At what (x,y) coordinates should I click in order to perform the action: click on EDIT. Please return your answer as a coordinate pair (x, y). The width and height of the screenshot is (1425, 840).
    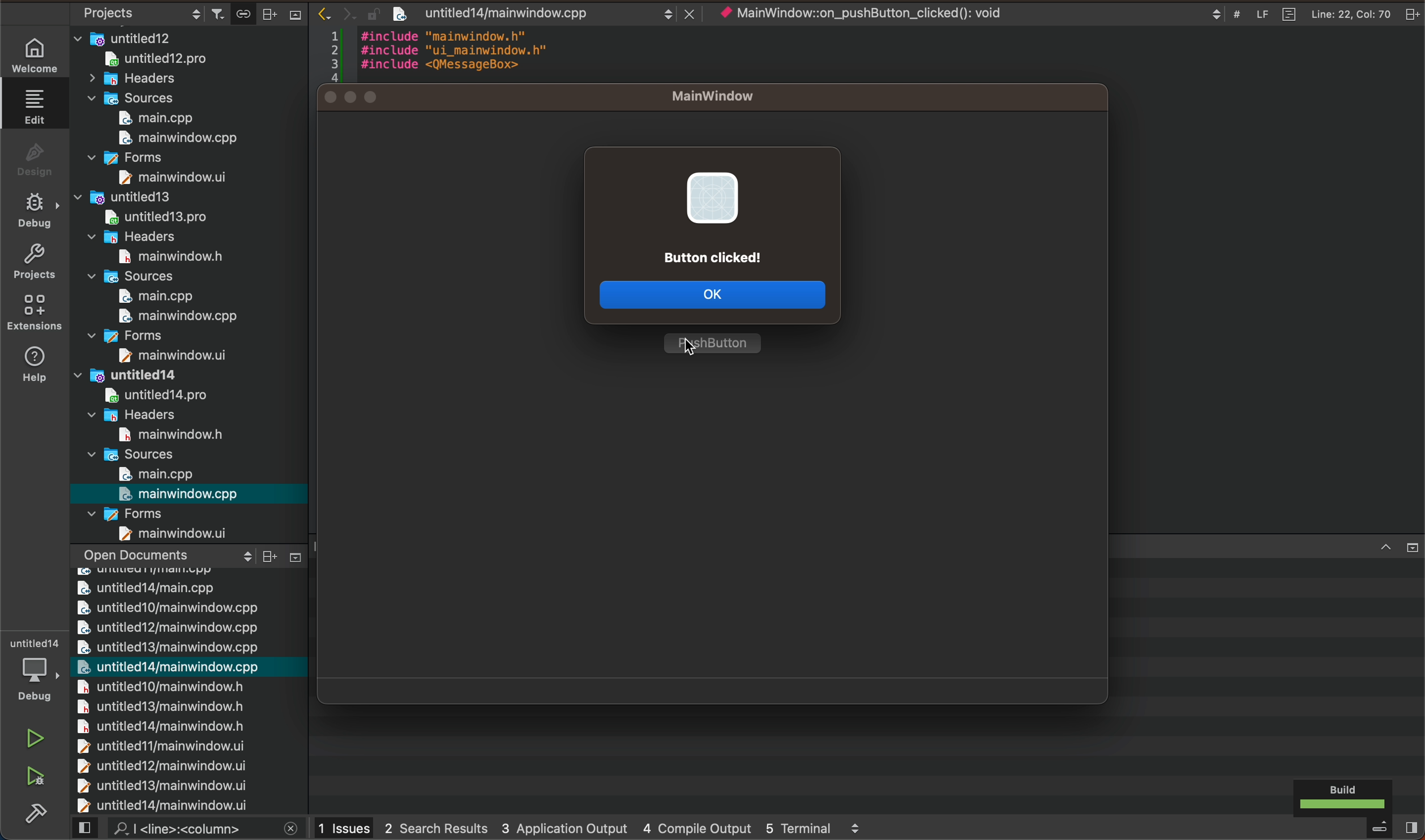
    Looking at the image, I should click on (38, 106).